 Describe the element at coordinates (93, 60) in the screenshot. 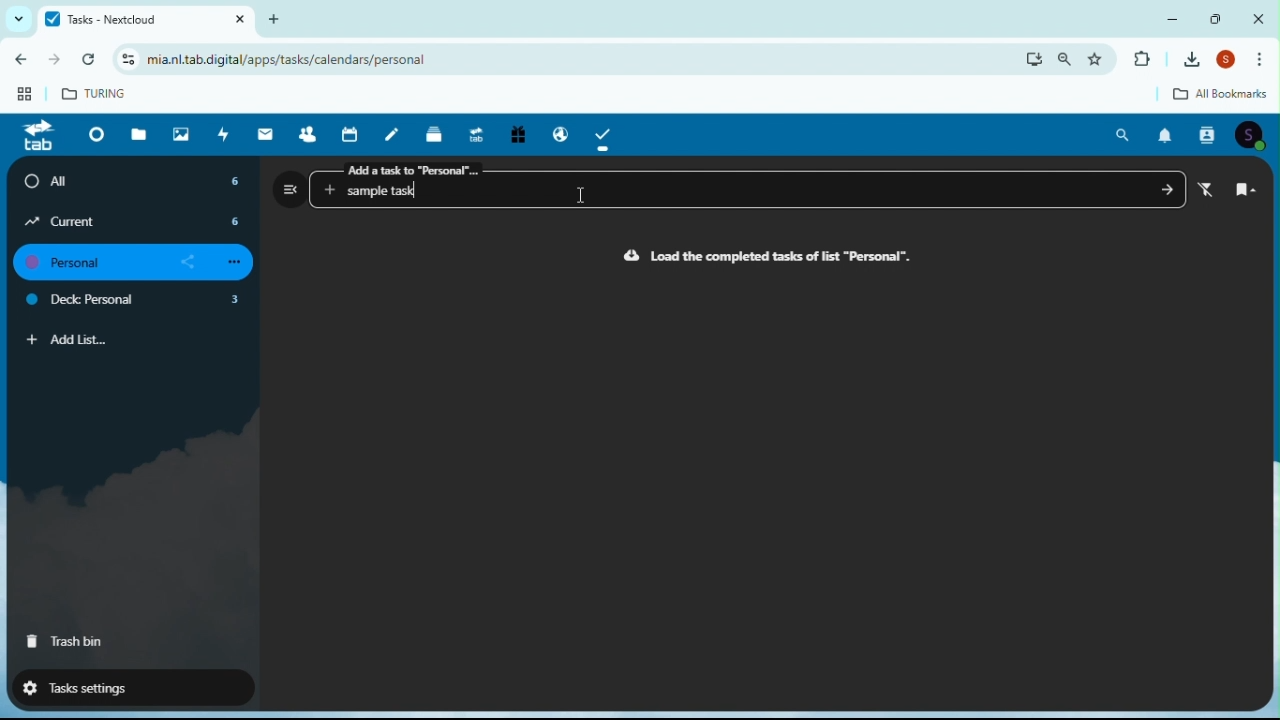

I see `reload` at that location.